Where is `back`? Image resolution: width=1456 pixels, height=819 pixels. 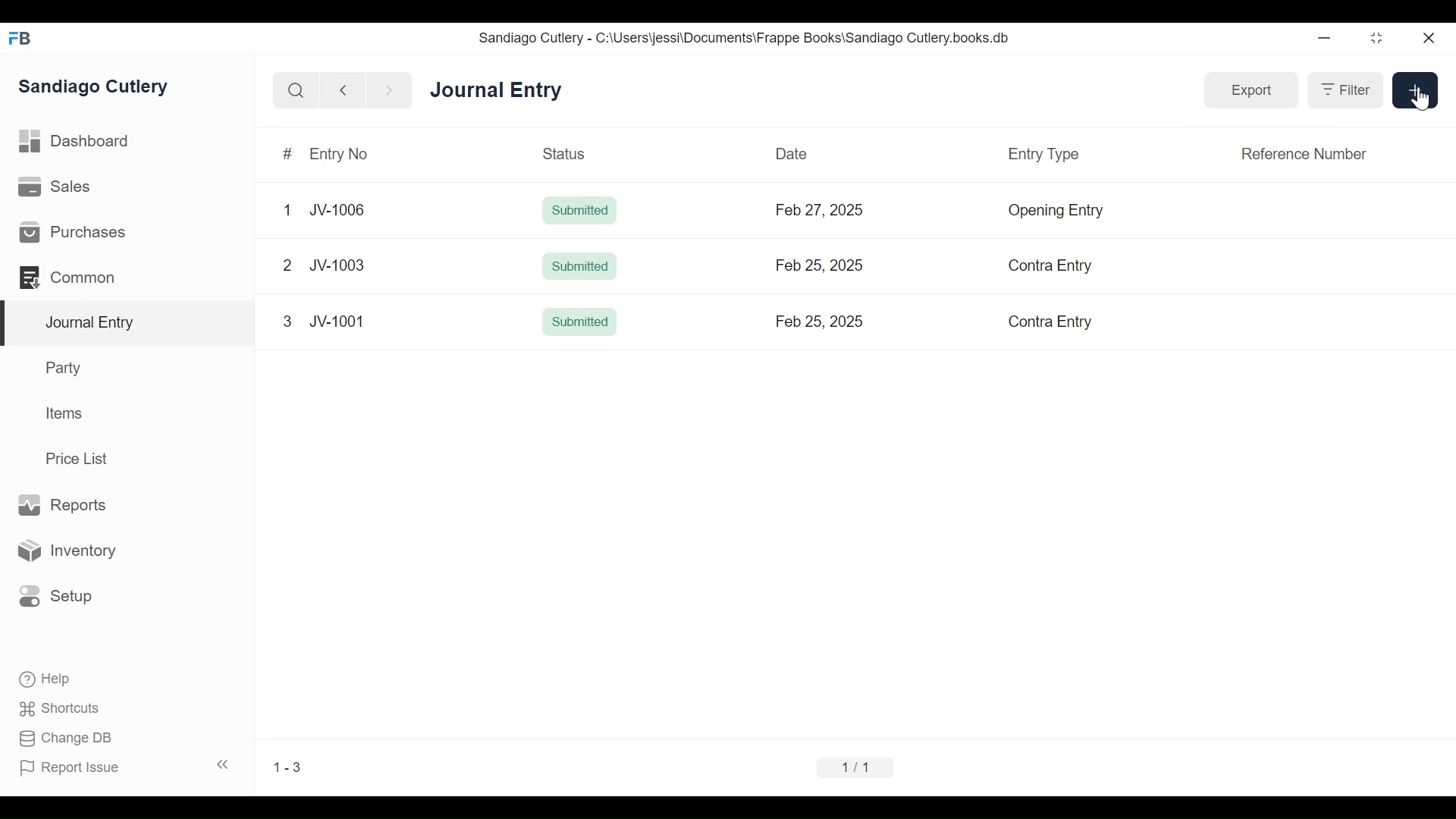
back is located at coordinates (343, 89).